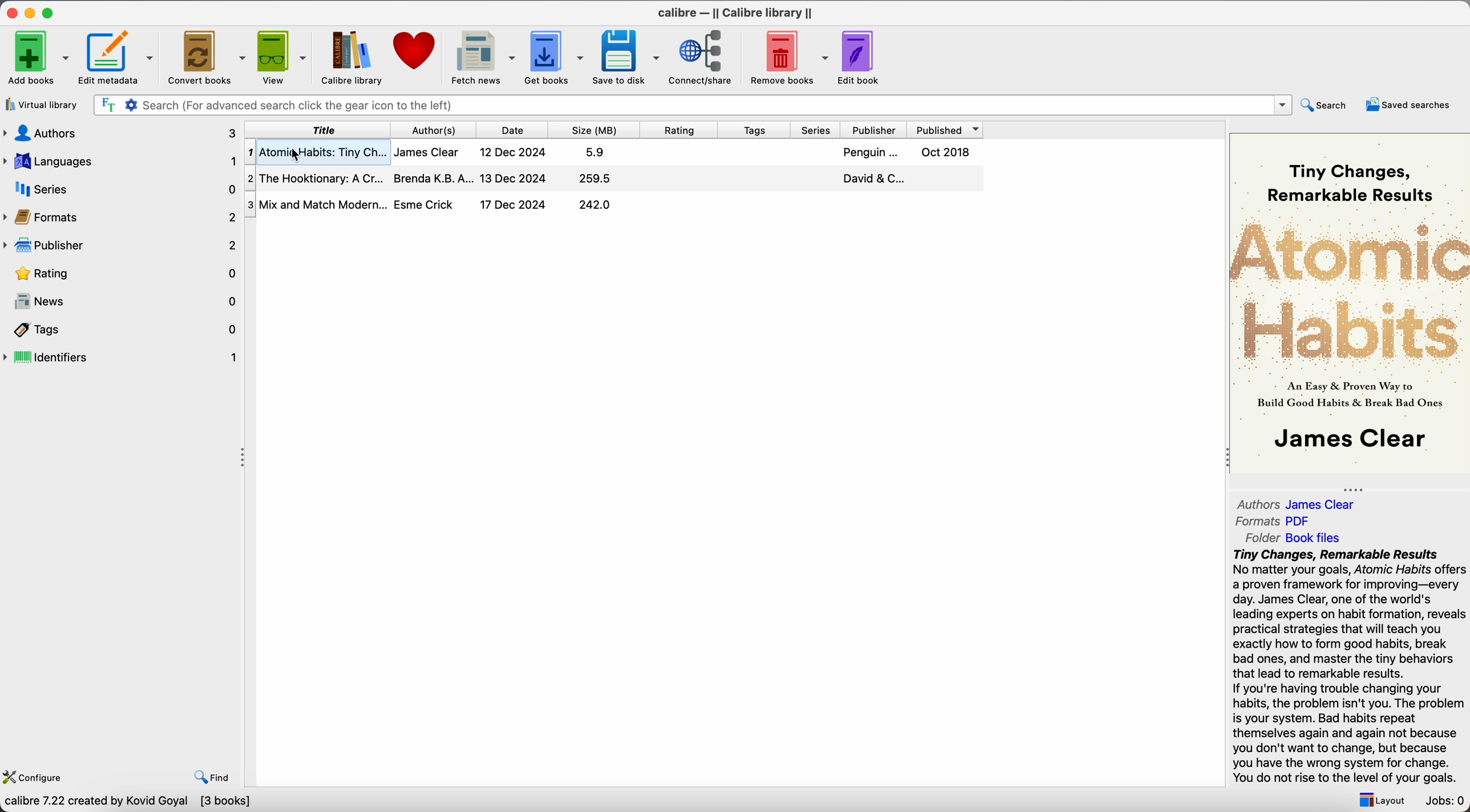 This screenshot has height=812, width=1470. Describe the element at coordinates (42, 104) in the screenshot. I see `virtual library` at that location.